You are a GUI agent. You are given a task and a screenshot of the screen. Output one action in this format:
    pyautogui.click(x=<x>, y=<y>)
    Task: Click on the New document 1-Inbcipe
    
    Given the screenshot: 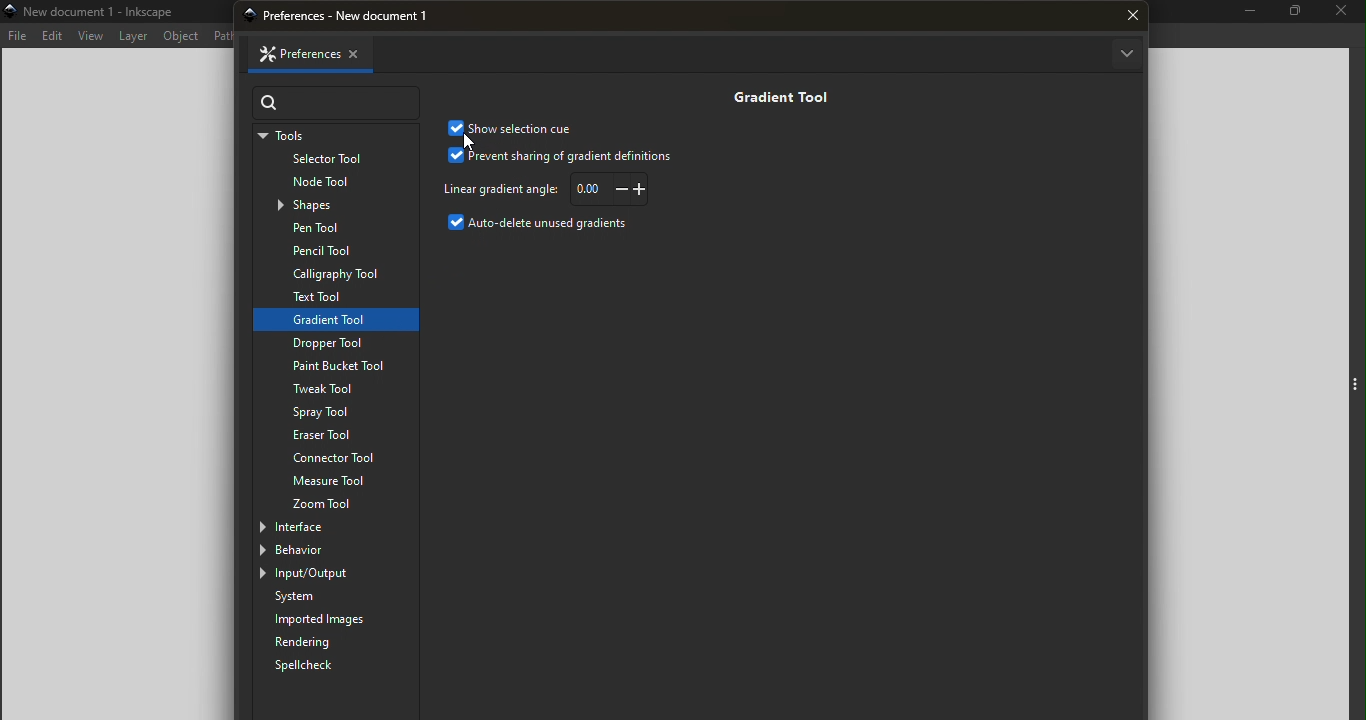 What is the action you would take?
    pyautogui.click(x=104, y=11)
    